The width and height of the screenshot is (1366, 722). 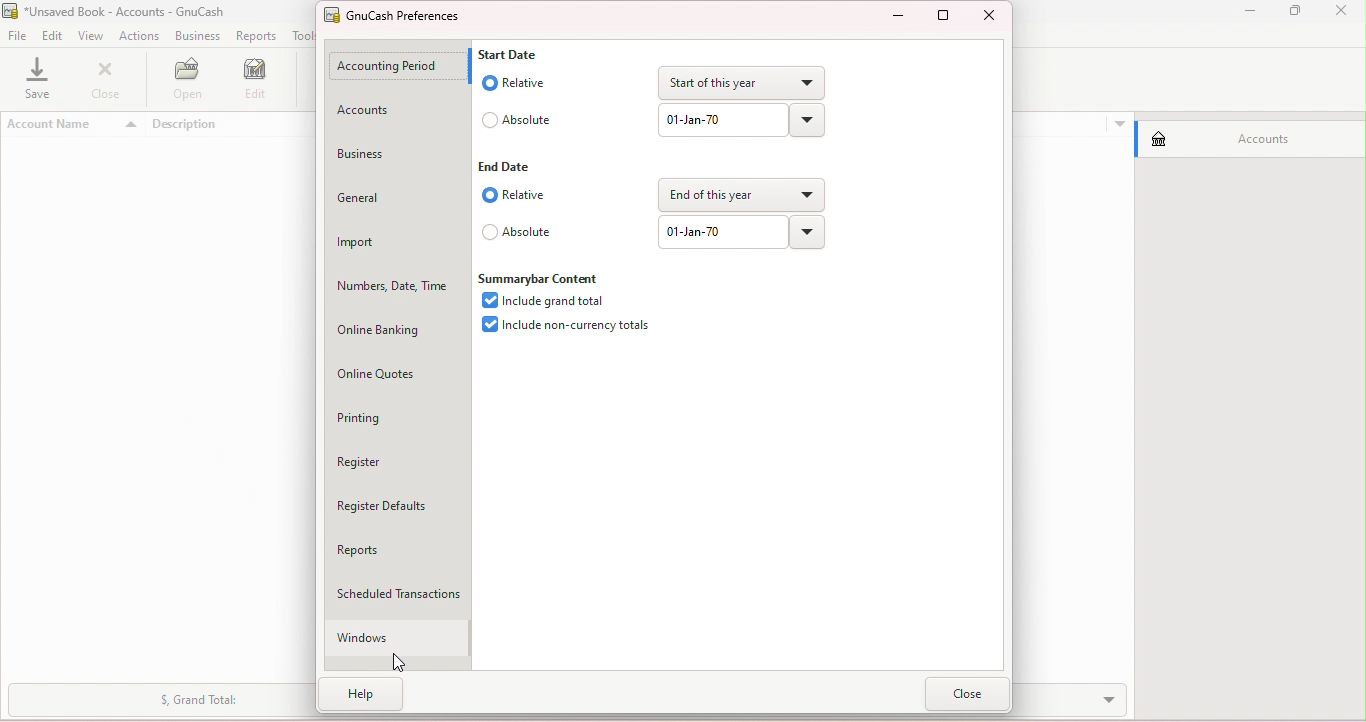 What do you see at coordinates (194, 36) in the screenshot?
I see `Business` at bounding box center [194, 36].